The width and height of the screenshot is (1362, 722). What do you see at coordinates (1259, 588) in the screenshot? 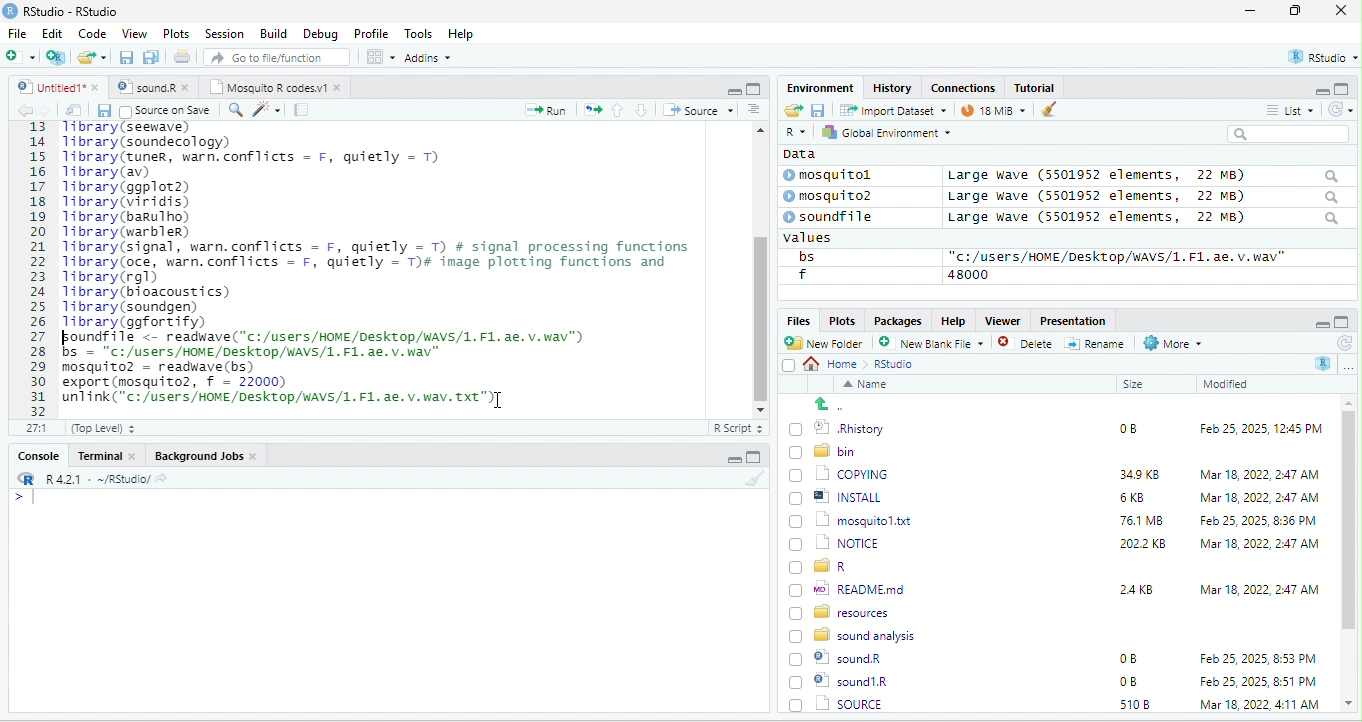
I see `Mar 18, 2022, 2:47 AM` at bounding box center [1259, 588].